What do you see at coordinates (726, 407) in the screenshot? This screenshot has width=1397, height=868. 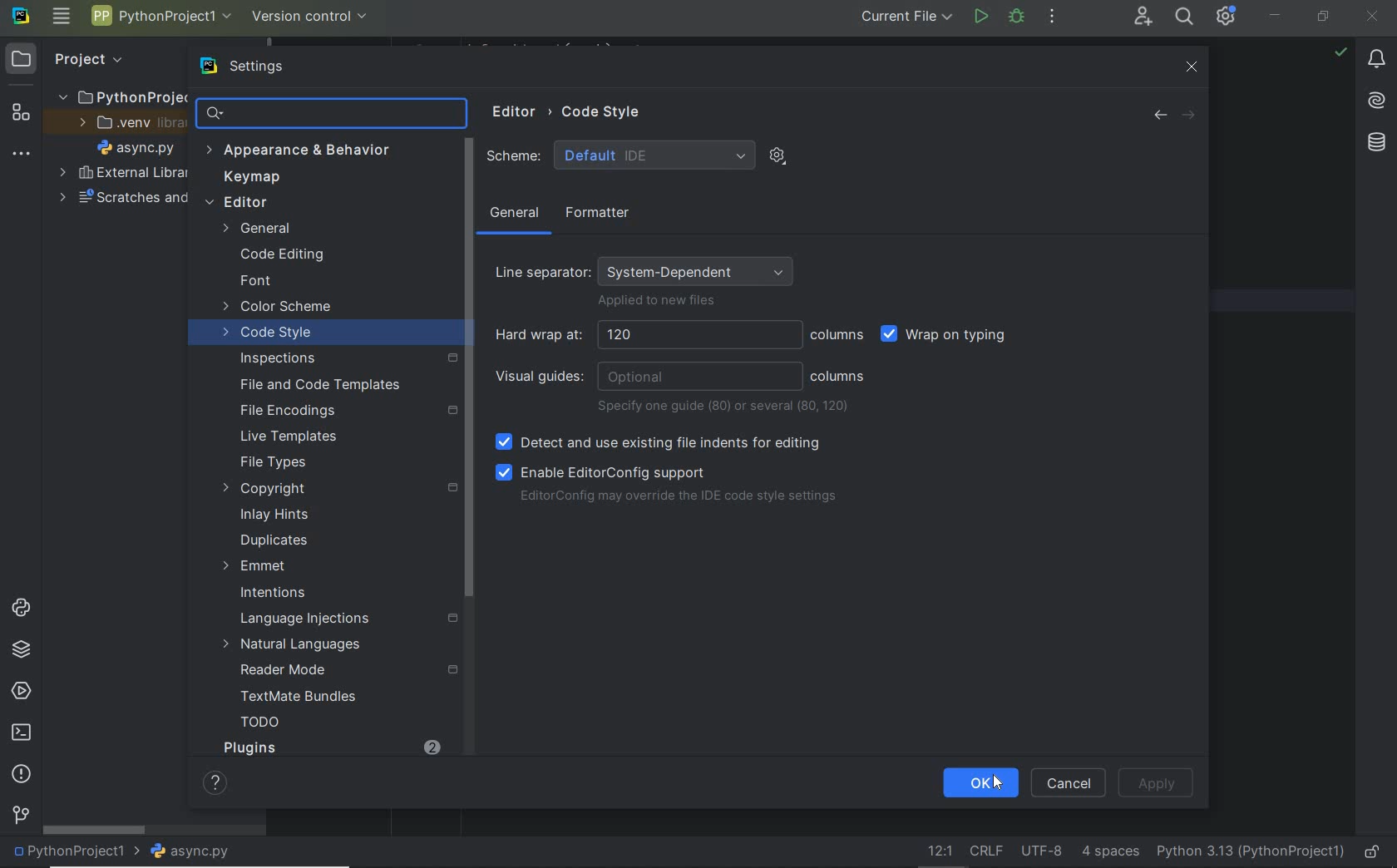 I see `specify one guide or several` at bounding box center [726, 407].